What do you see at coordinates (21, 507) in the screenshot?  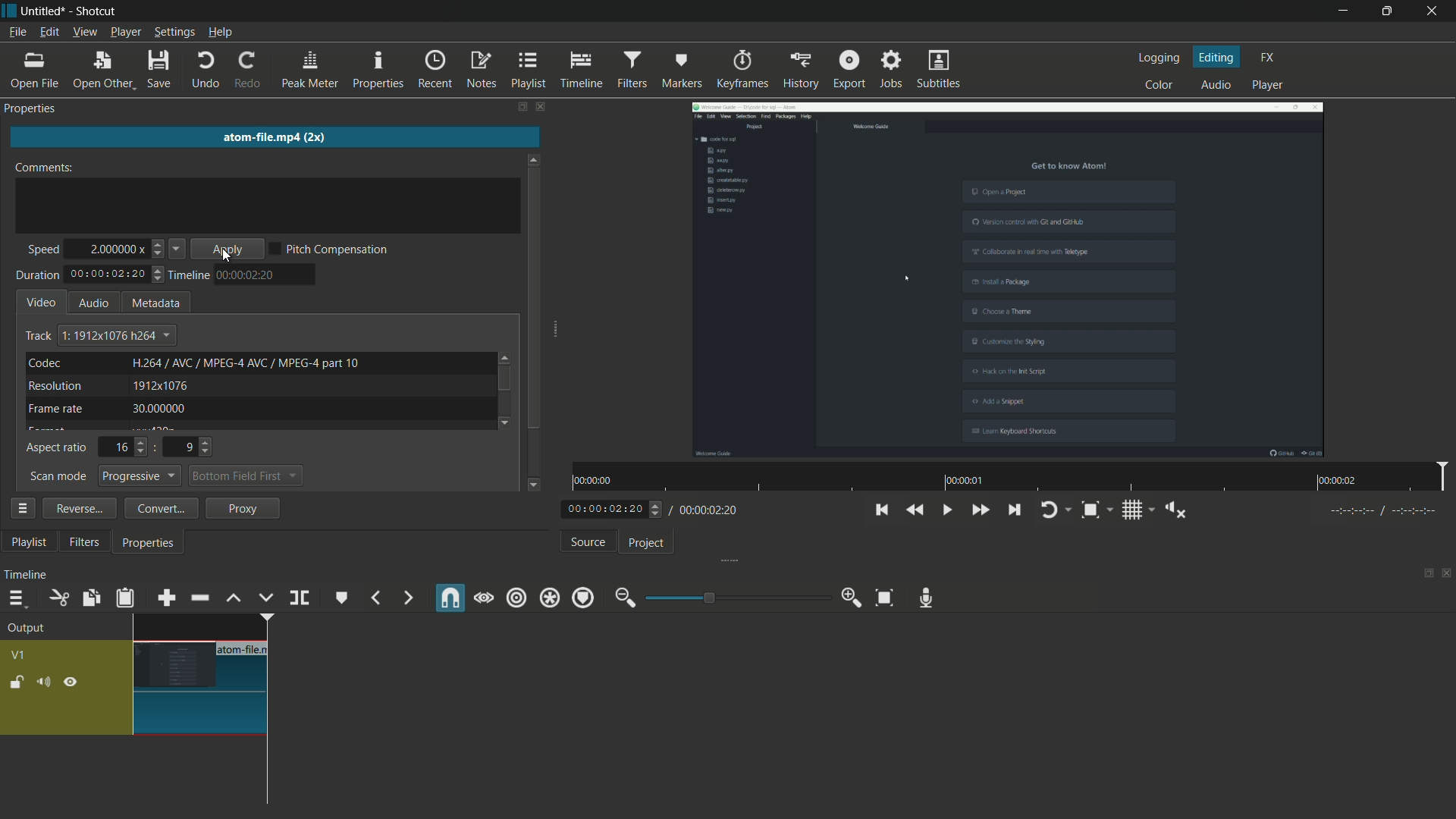 I see `properties menu` at bounding box center [21, 507].